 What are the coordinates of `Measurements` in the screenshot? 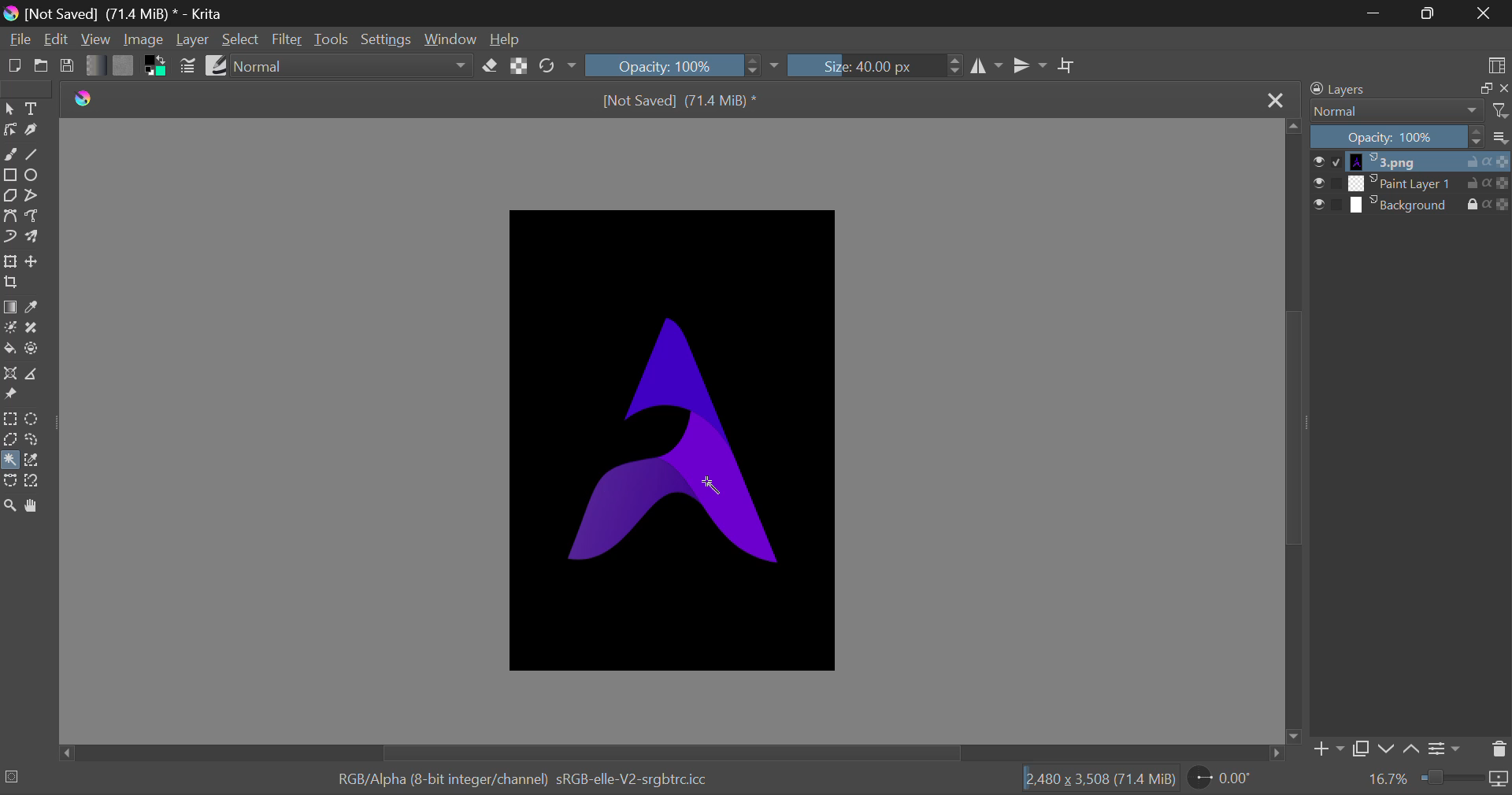 It's located at (37, 374).